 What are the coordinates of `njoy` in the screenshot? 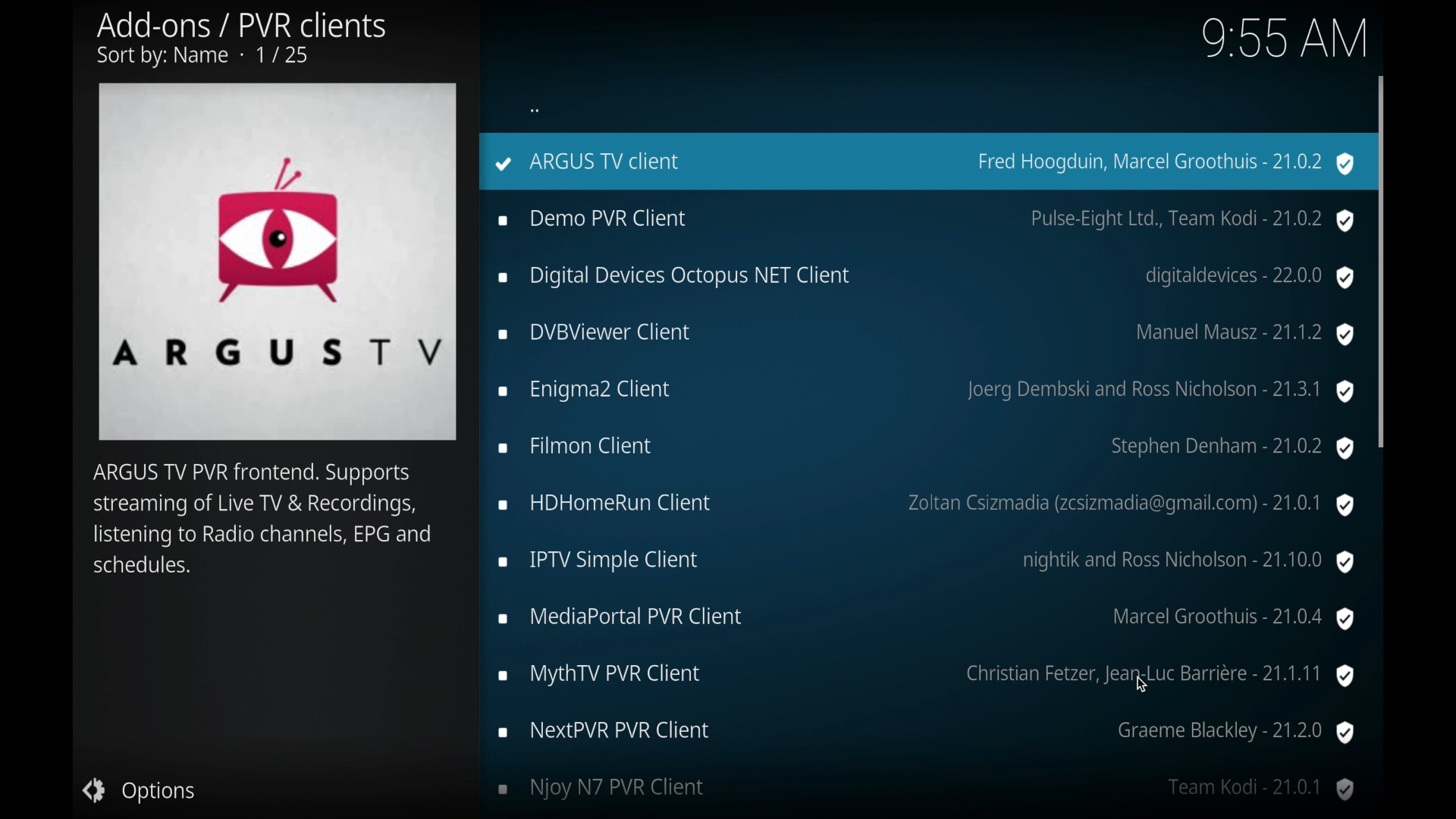 It's located at (927, 789).